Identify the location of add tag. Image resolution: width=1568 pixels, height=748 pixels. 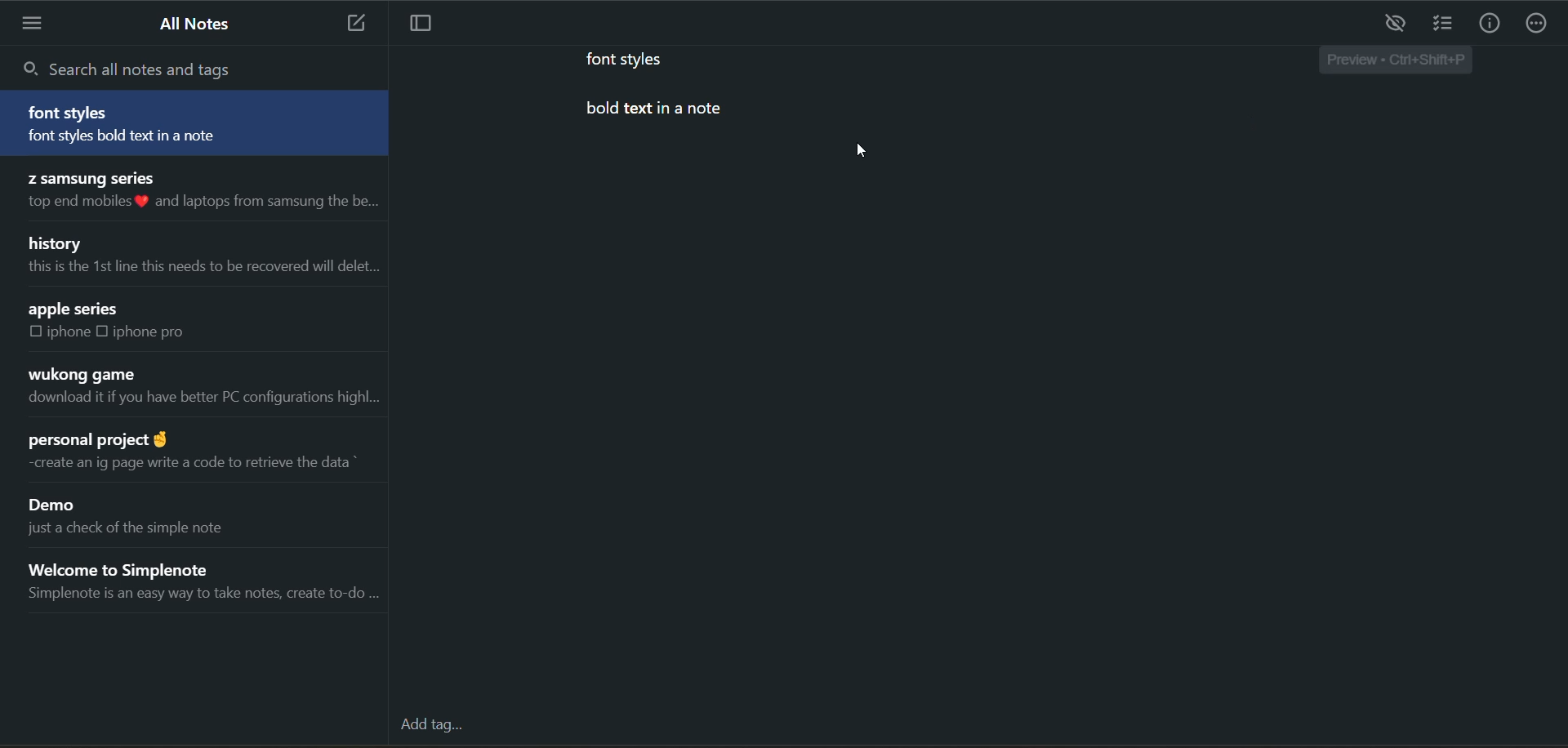
(439, 731).